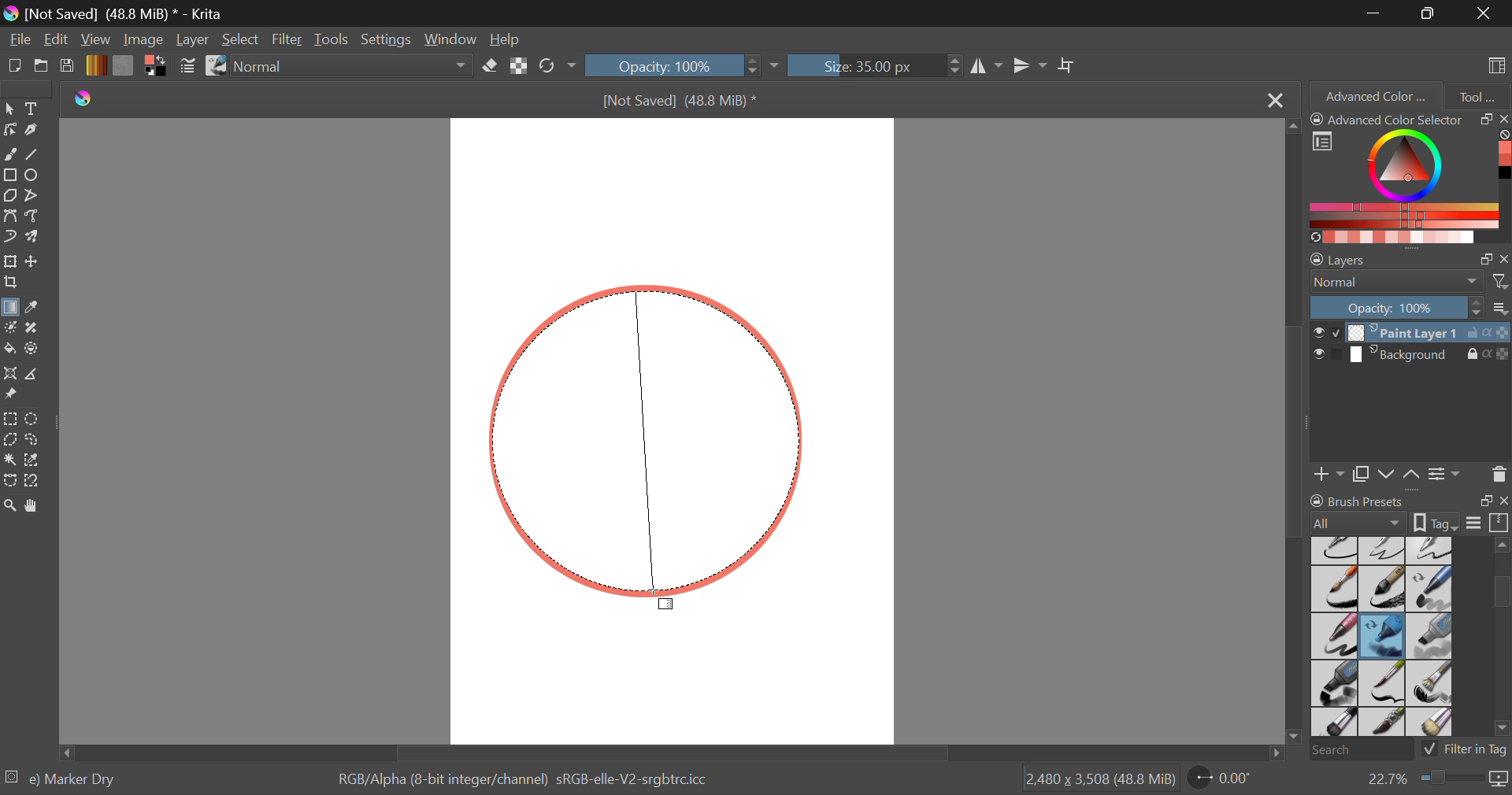 This screenshot has width=1512, height=795. Describe the element at coordinates (1336, 549) in the screenshot. I see `Ink-2 Fineliner` at that location.